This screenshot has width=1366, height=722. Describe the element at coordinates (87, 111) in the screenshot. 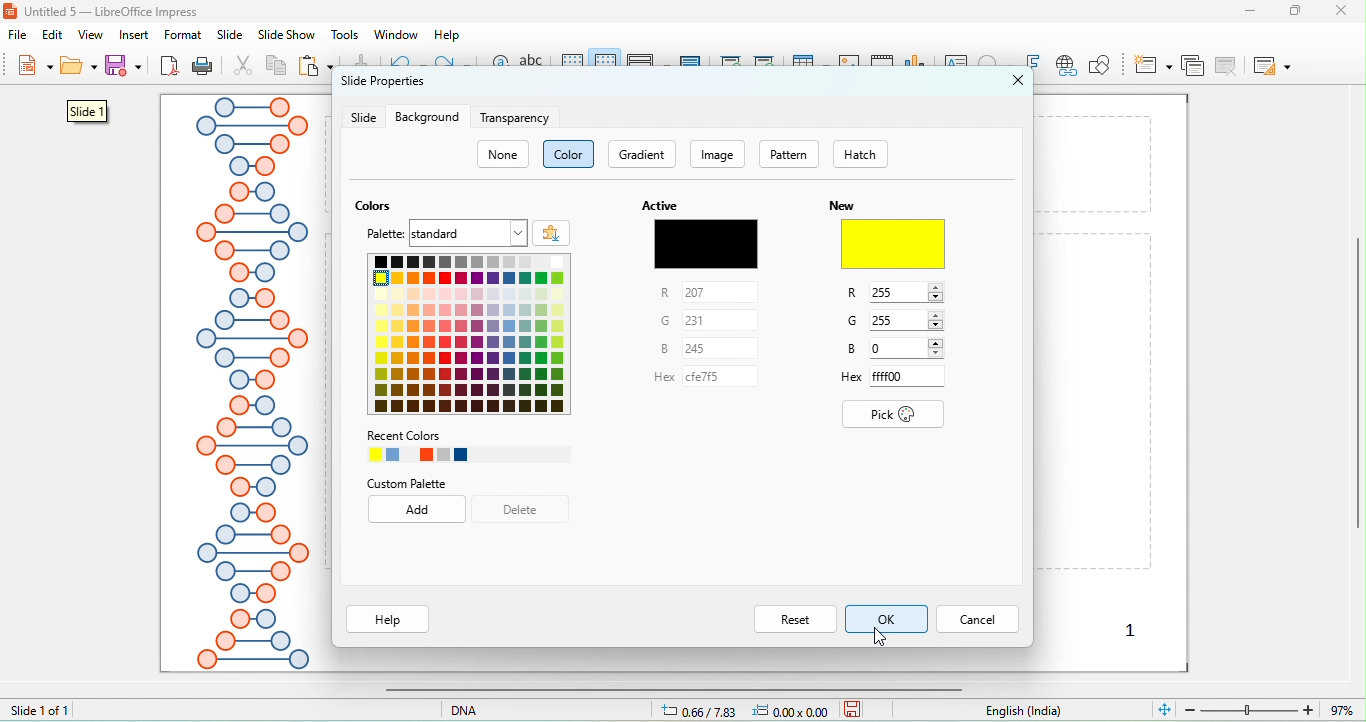

I see `slide 1` at that location.